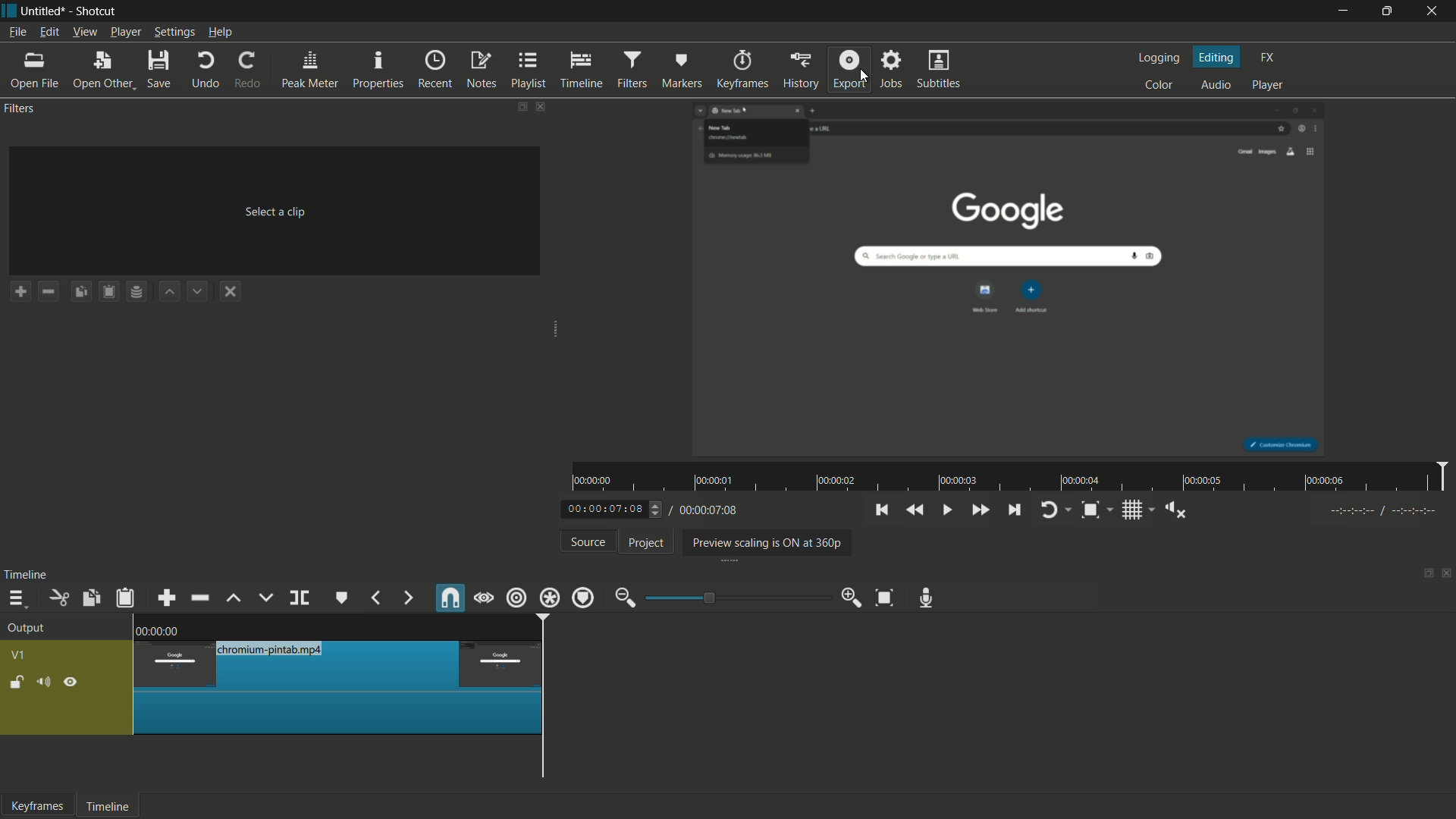  Describe the element at coordinates (980, 510) in the screenshot. I see `quickly play forward` at that location.